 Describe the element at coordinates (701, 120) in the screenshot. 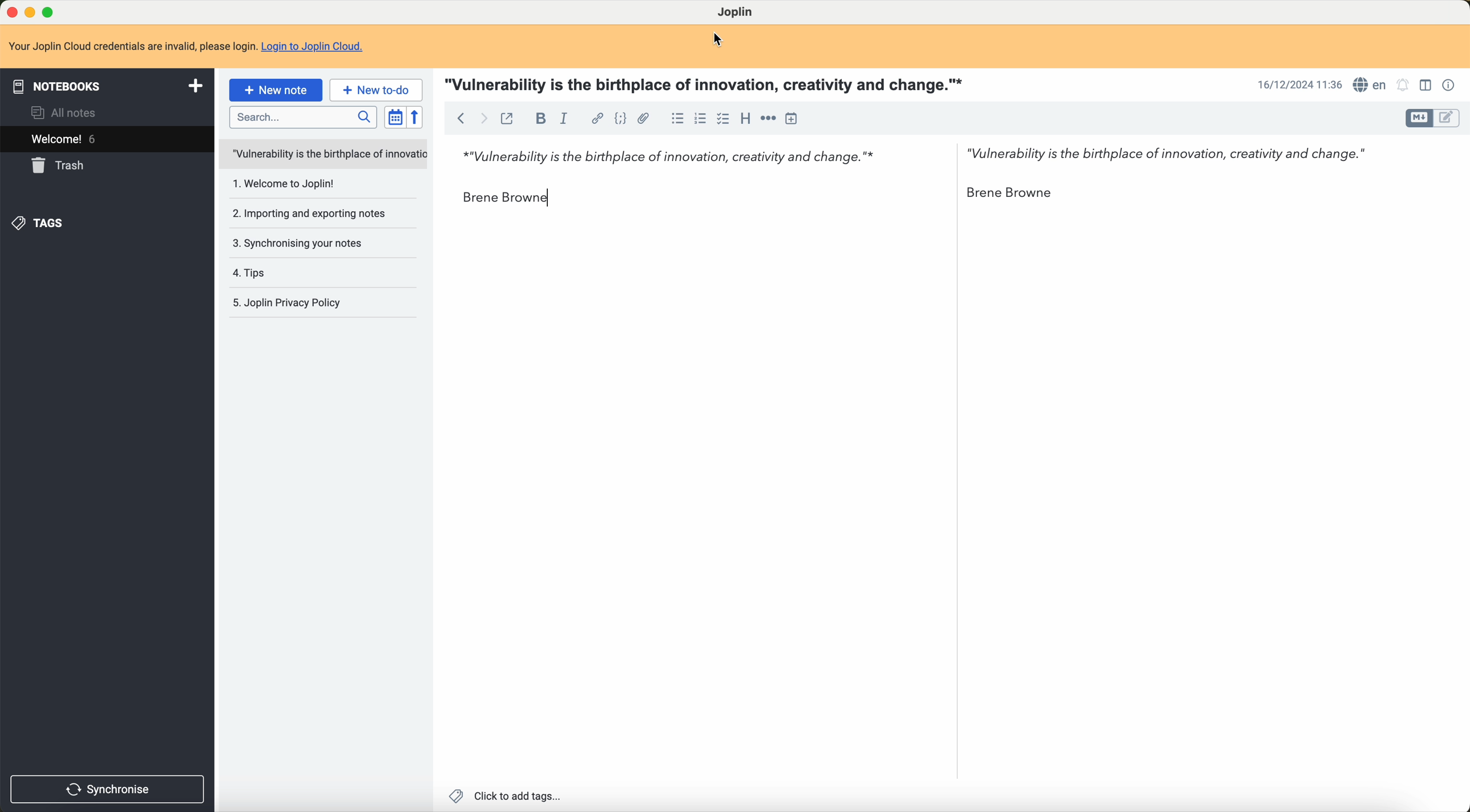

I see `numbered list` at that location.